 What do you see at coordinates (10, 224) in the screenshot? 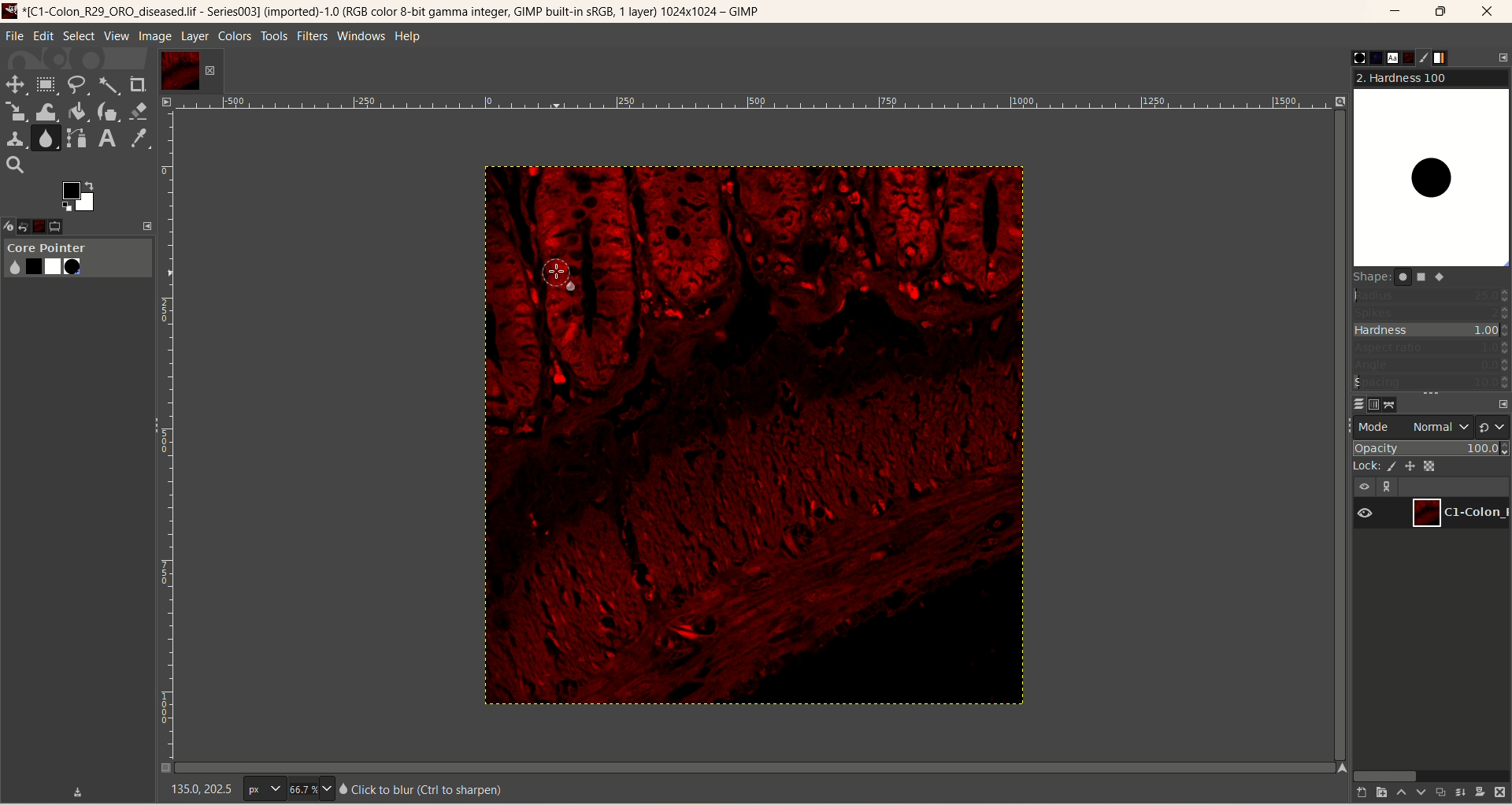
I see `device status` at bounding box center [10, 224].